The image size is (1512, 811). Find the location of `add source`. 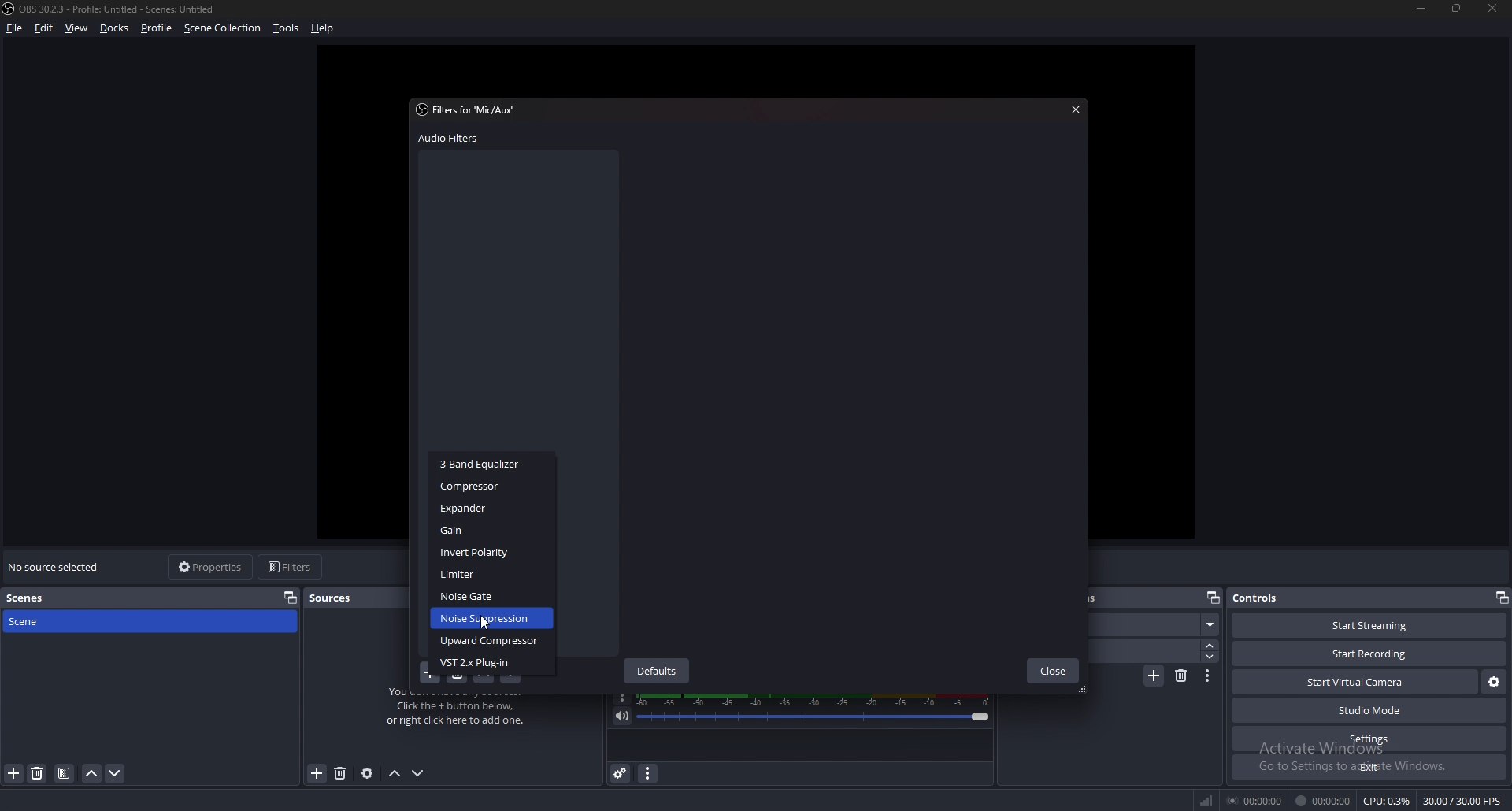

add source is located at coordinates (343, 774).